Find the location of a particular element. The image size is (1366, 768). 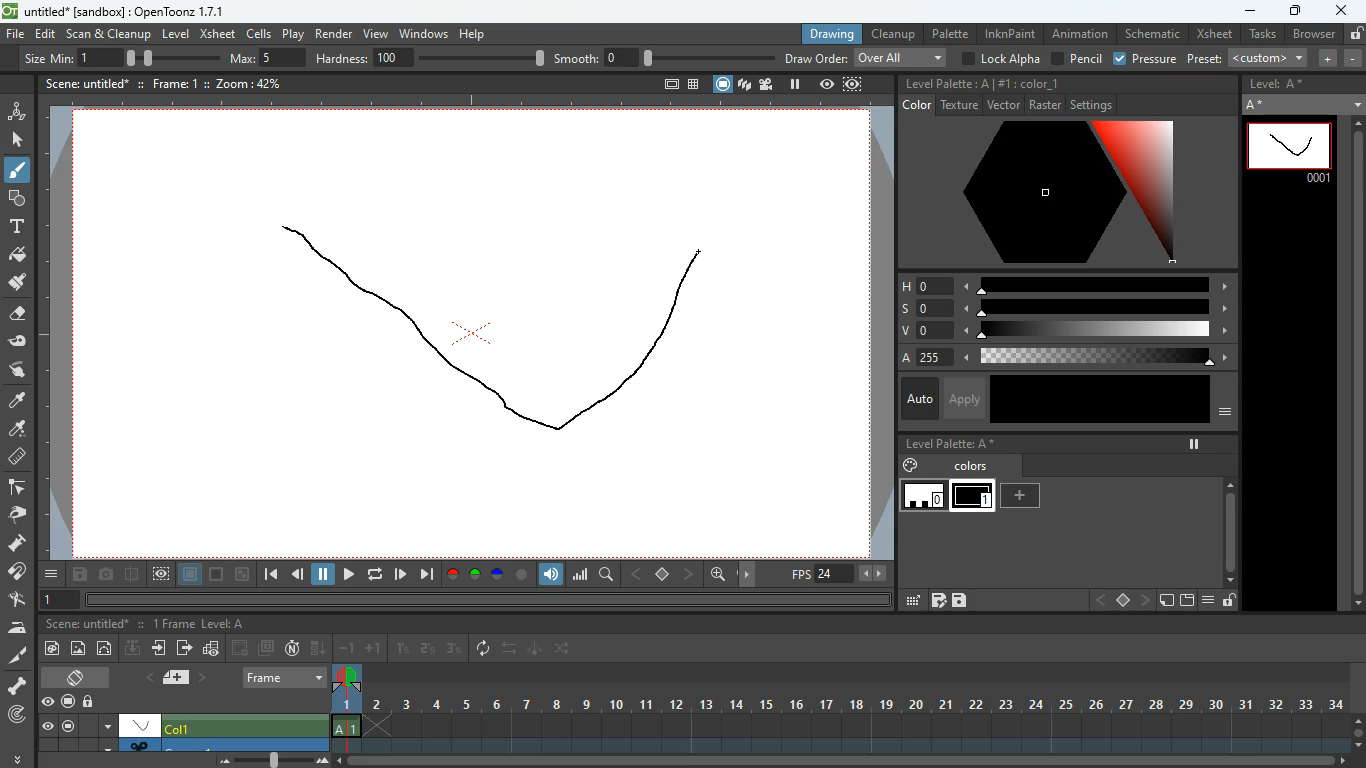

skeleton is located at coordinates (16, 685).